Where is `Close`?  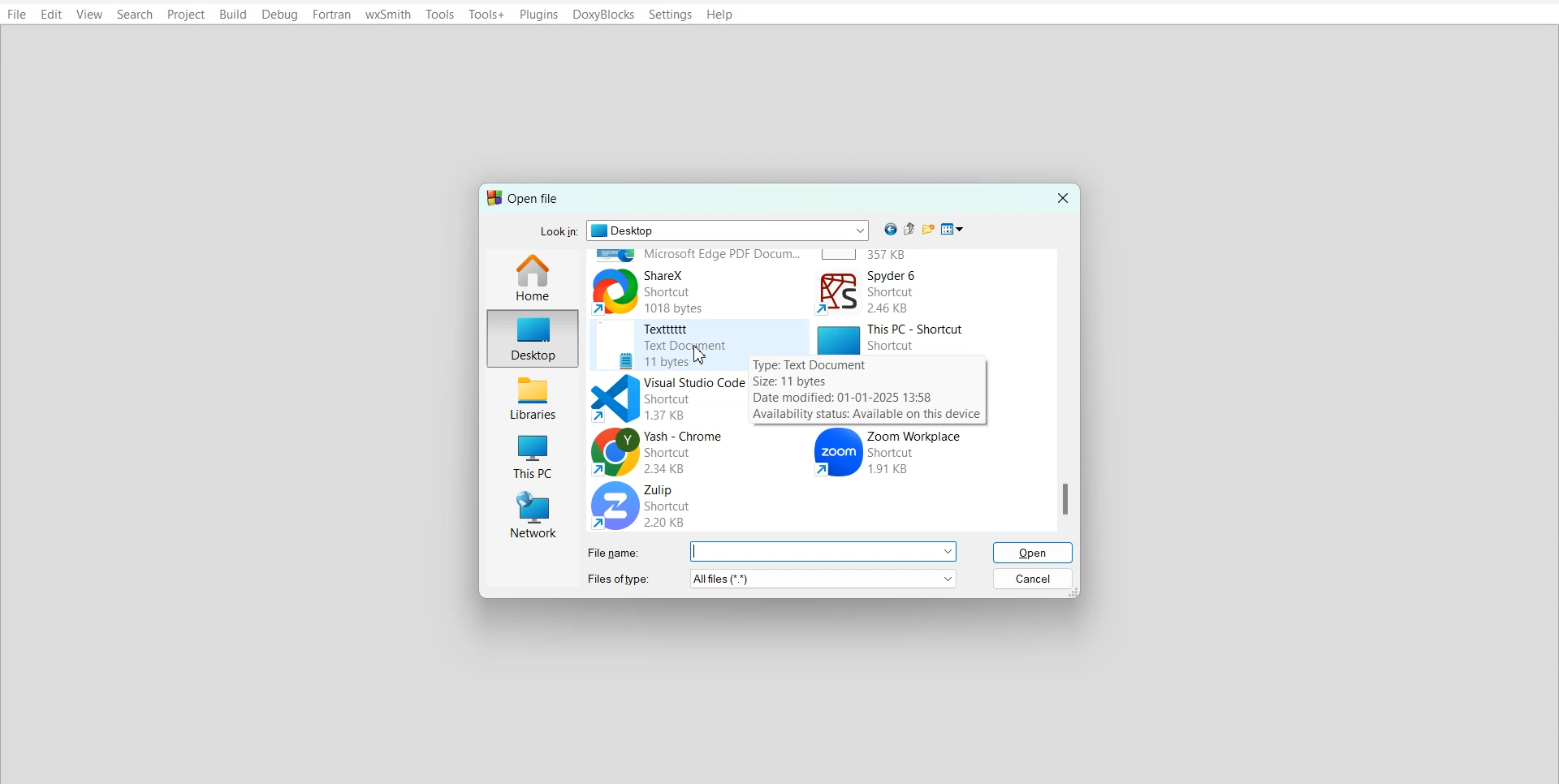
Close is located at coordinates (1064, 196).